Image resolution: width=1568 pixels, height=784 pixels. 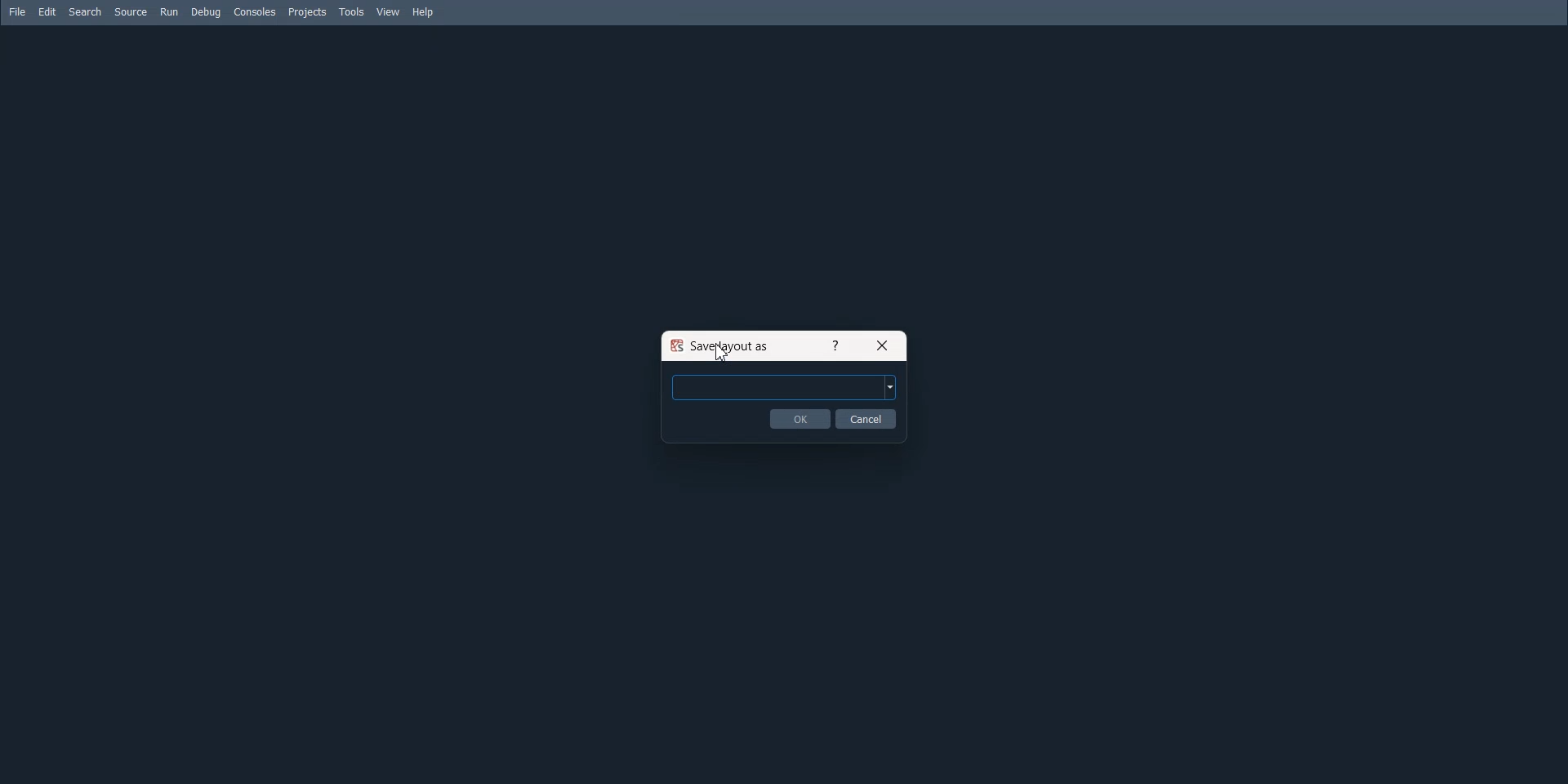 I want to click on Edit, so click(x=48, y=11).